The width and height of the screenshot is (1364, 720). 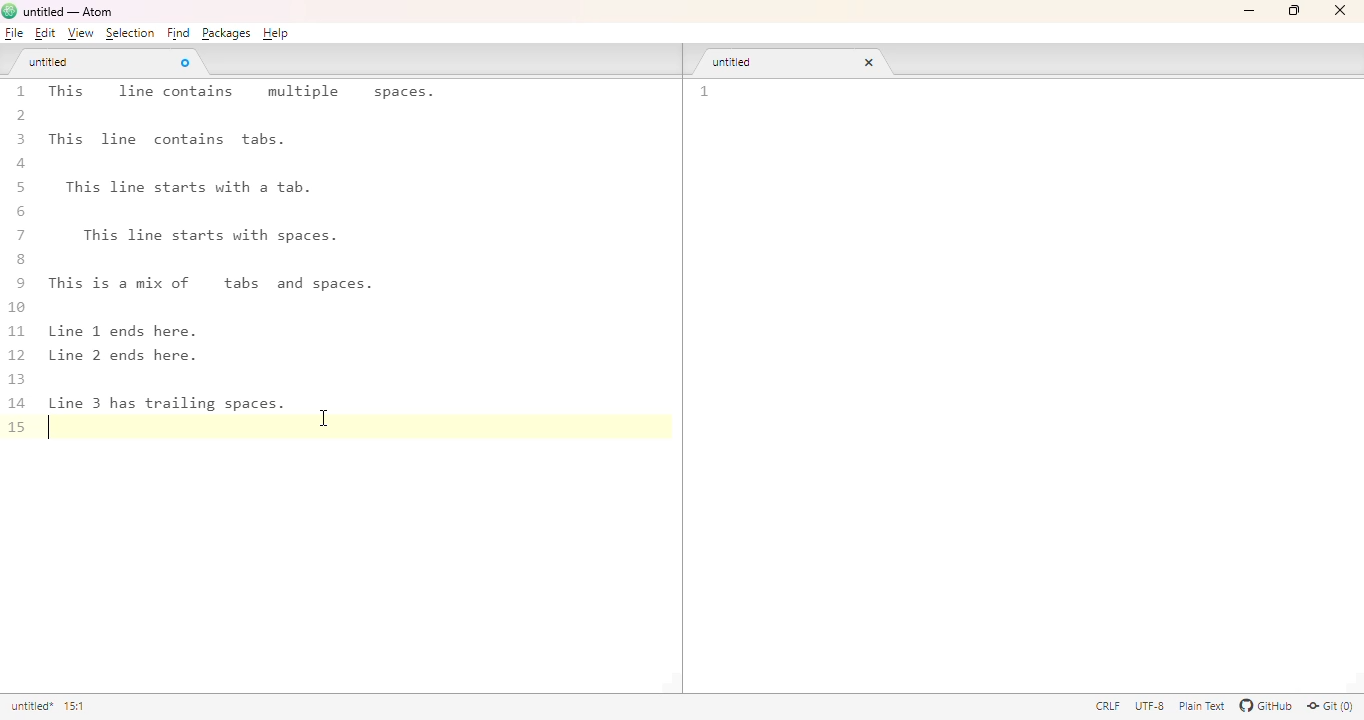 I want to click on logo, so click(x=9, y=11).